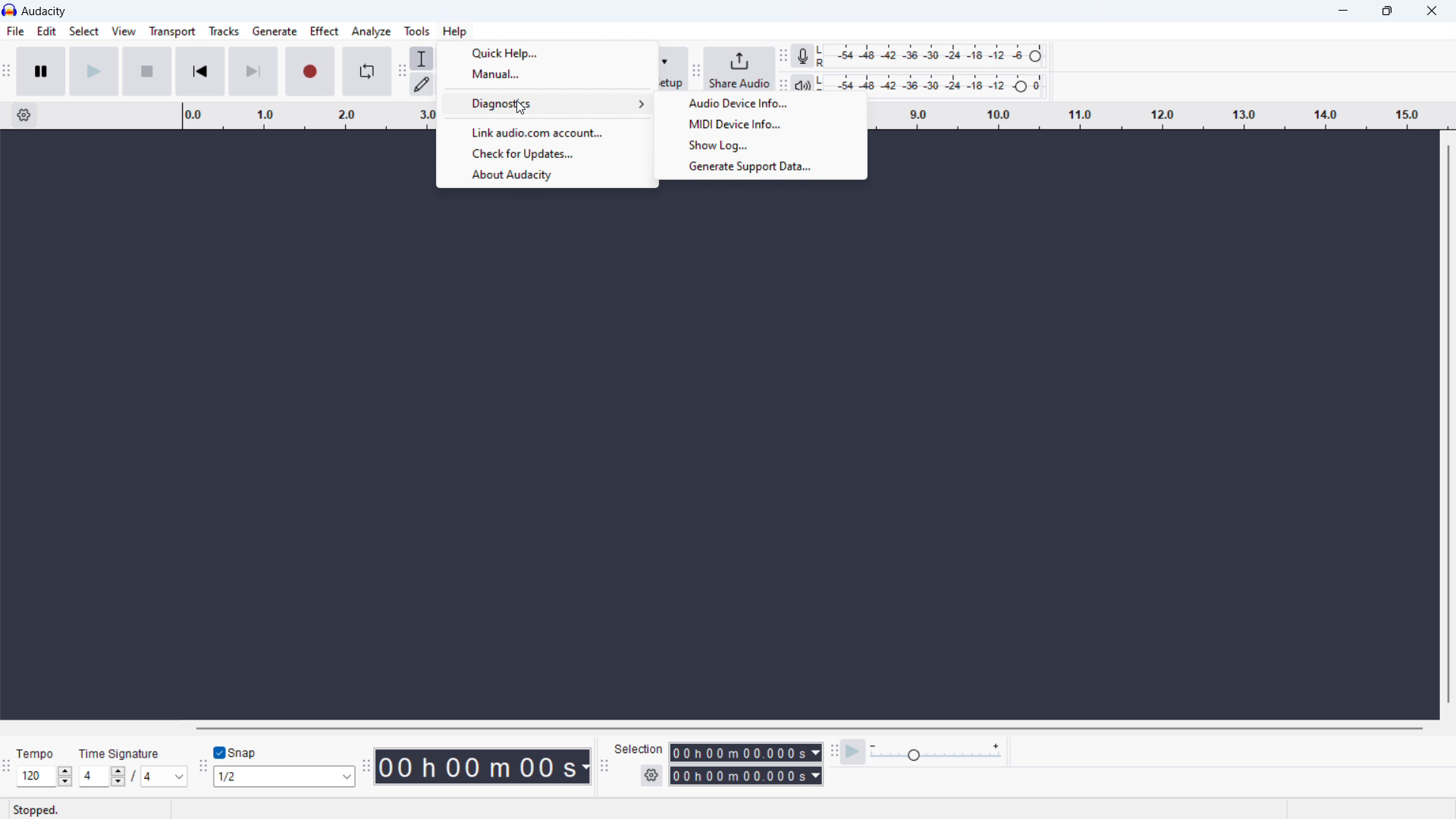  Describe the element at coordinates (298, 115) in the screenshot. I see `timeline` at that location.